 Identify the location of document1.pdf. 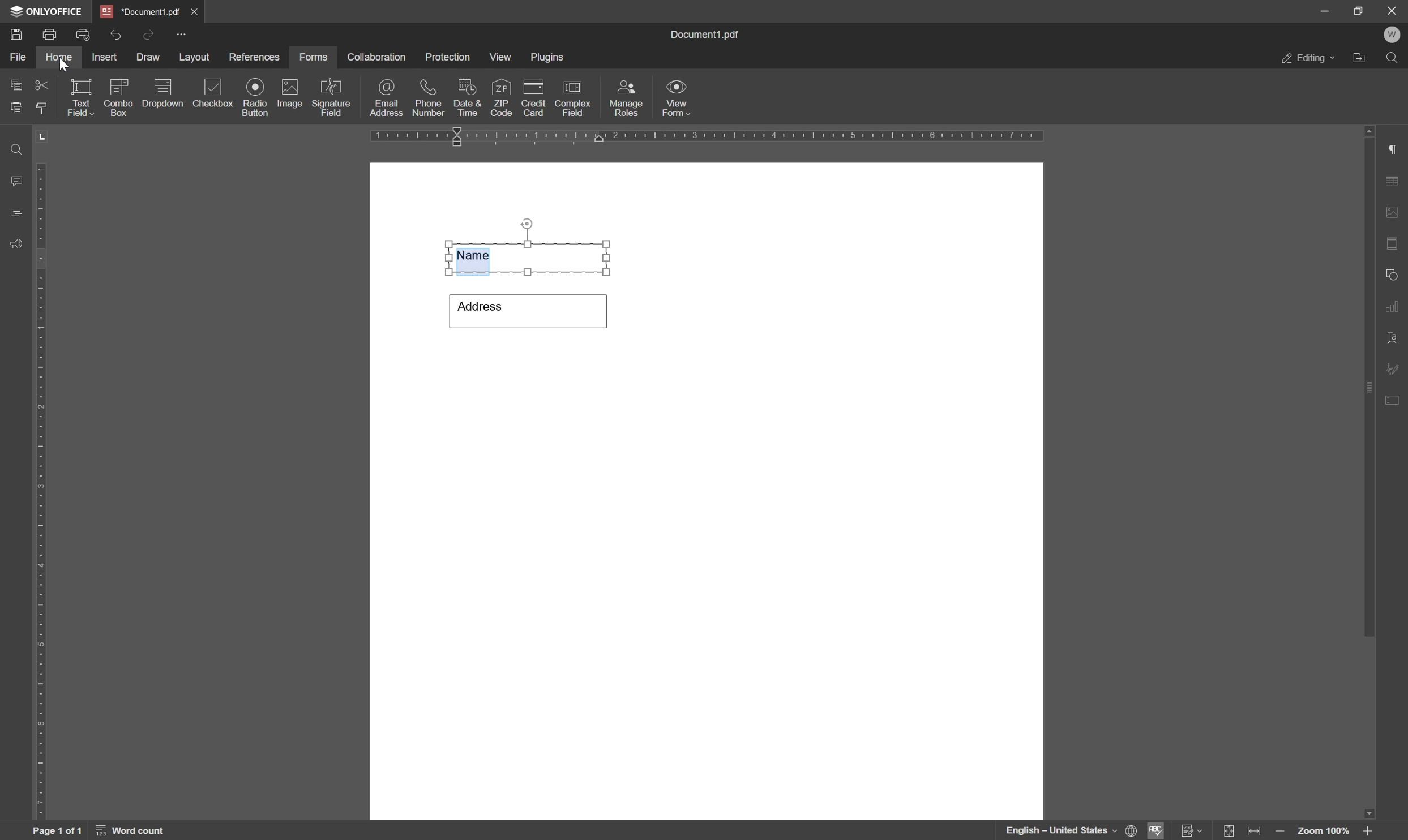
(707, 36).